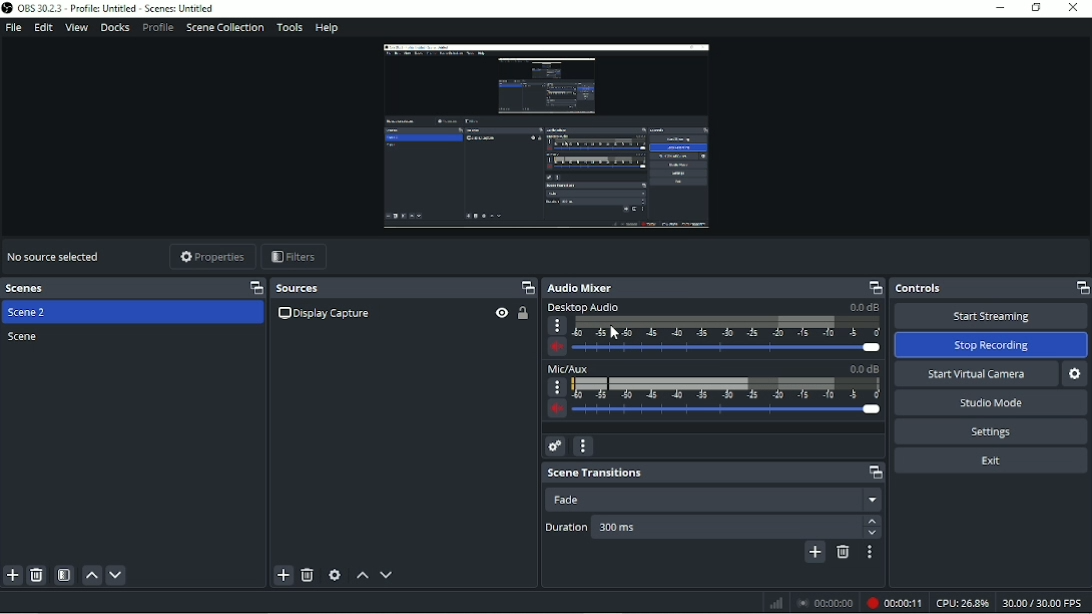 The height and width of the screenshot is (614, 1092). I want to click on Stop Recording, so click(992, 345).